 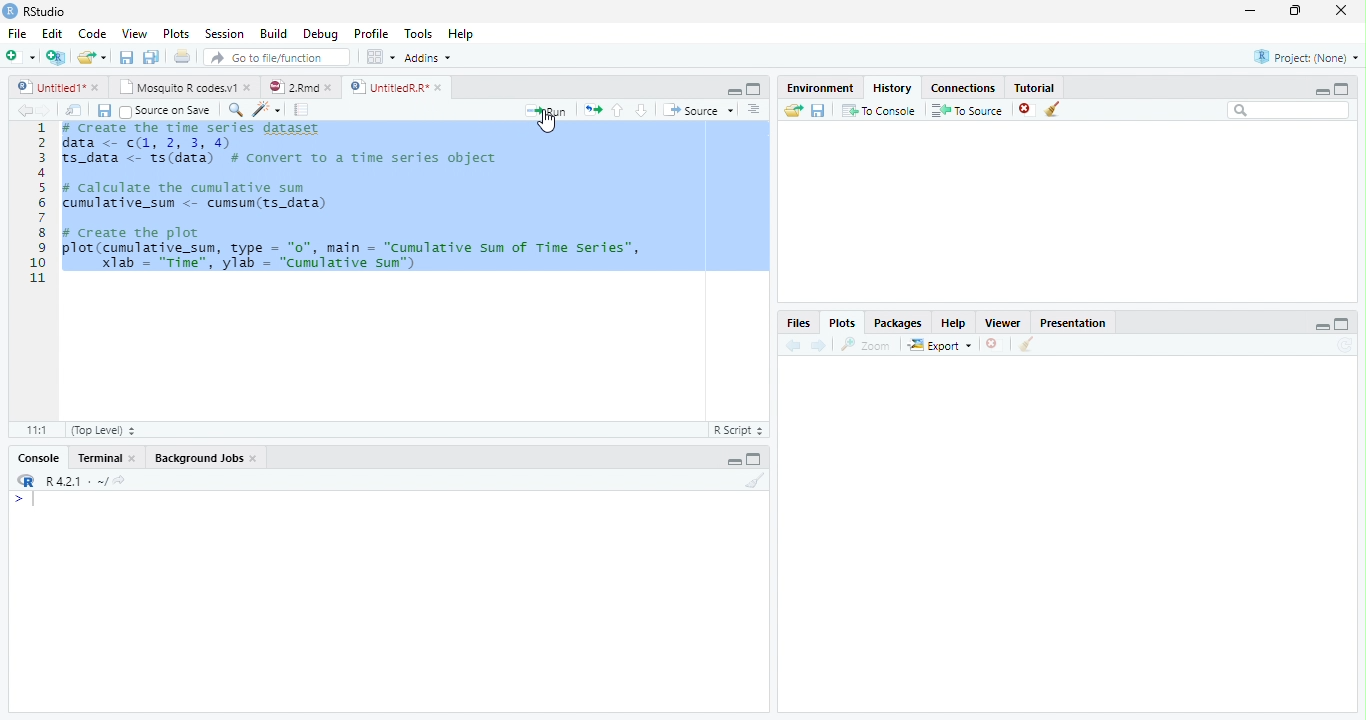 What do you see at coordinates (94, 57) in the screenshot?
I see `Open an existing file` at bounding box center [94, 57].